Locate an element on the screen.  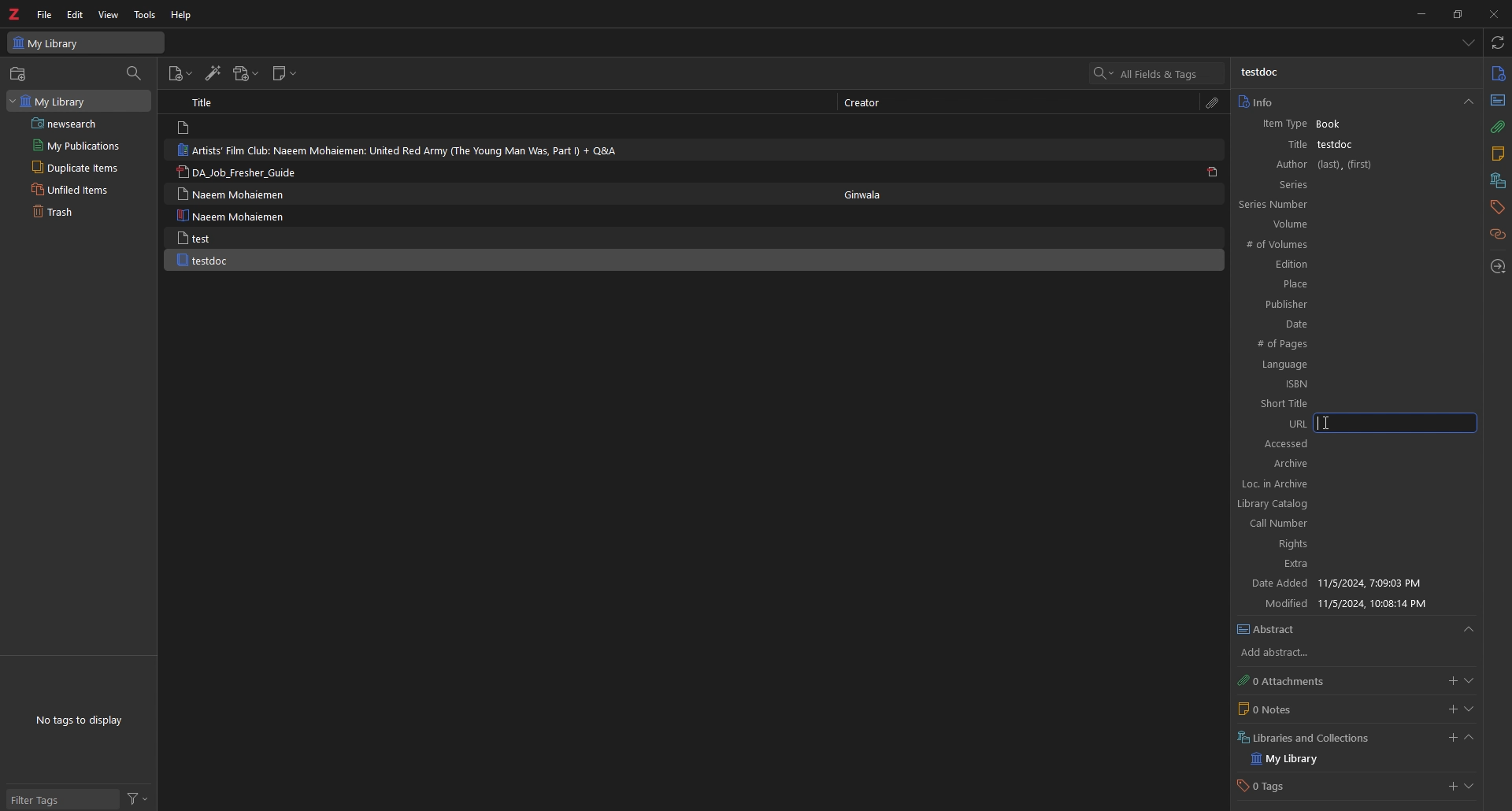
Naeem Mohaiemen is located at coordinates (238, 194).